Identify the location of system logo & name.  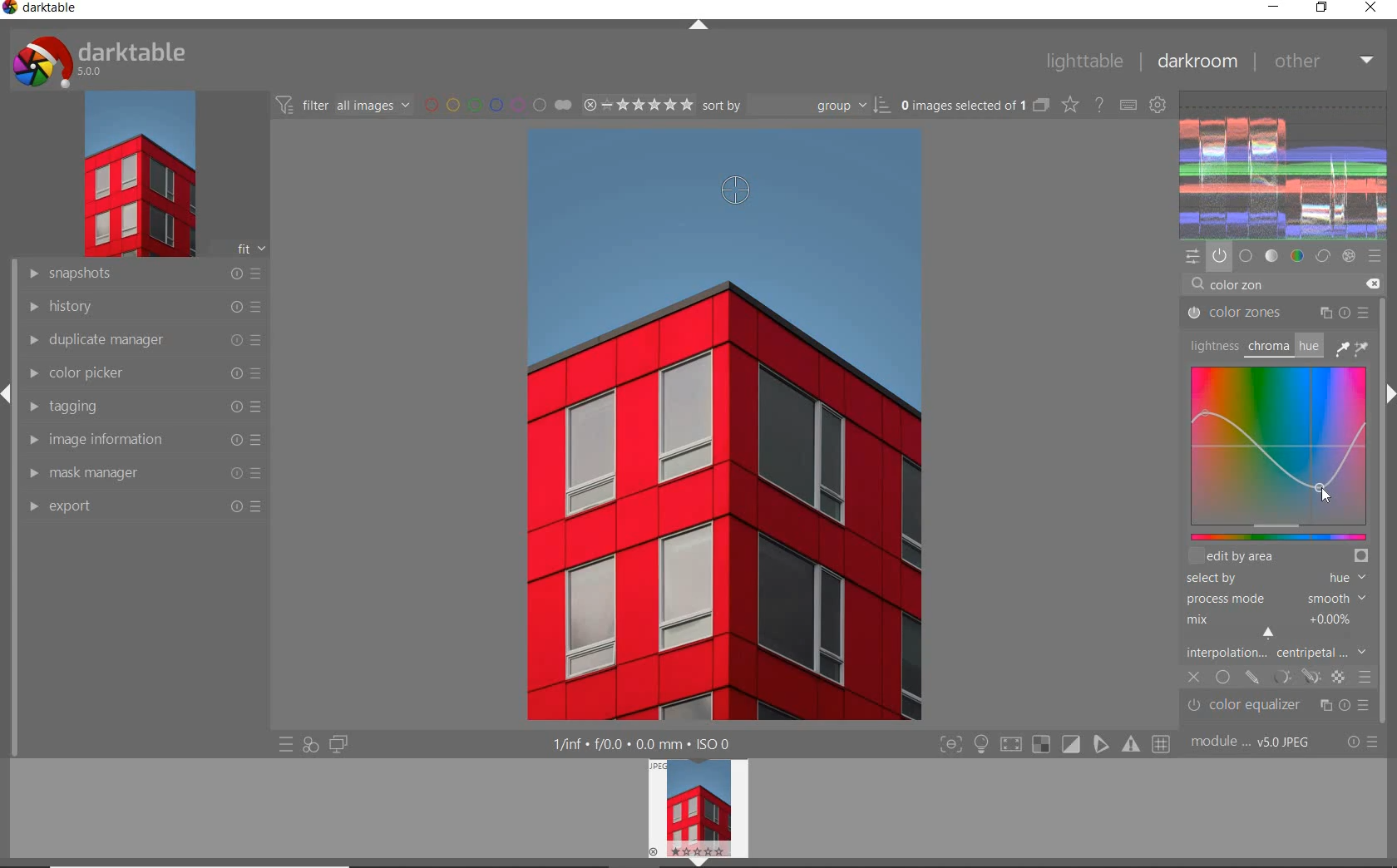
(102, 62).